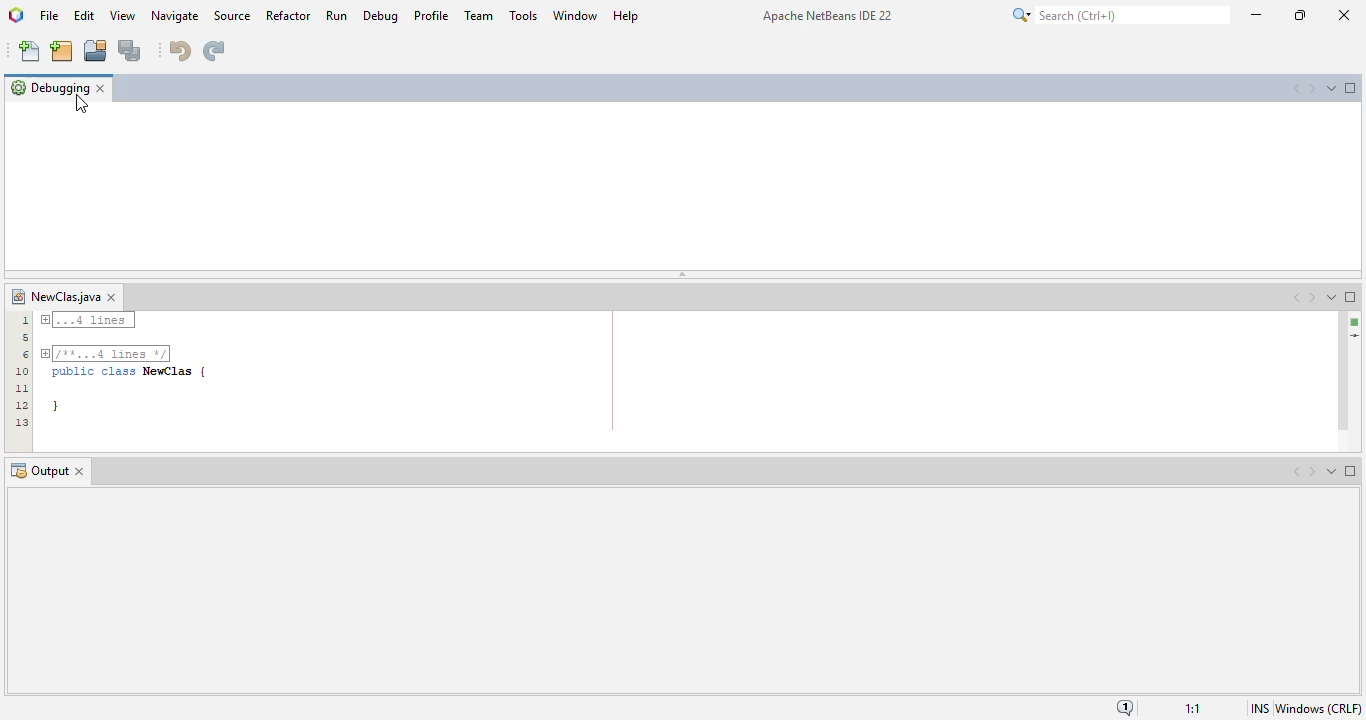 The width and height of the screenshot is (1366, 720). Describe the element at coordinates (1351, 88) in the screenshot. I see `maximize window` at that location.